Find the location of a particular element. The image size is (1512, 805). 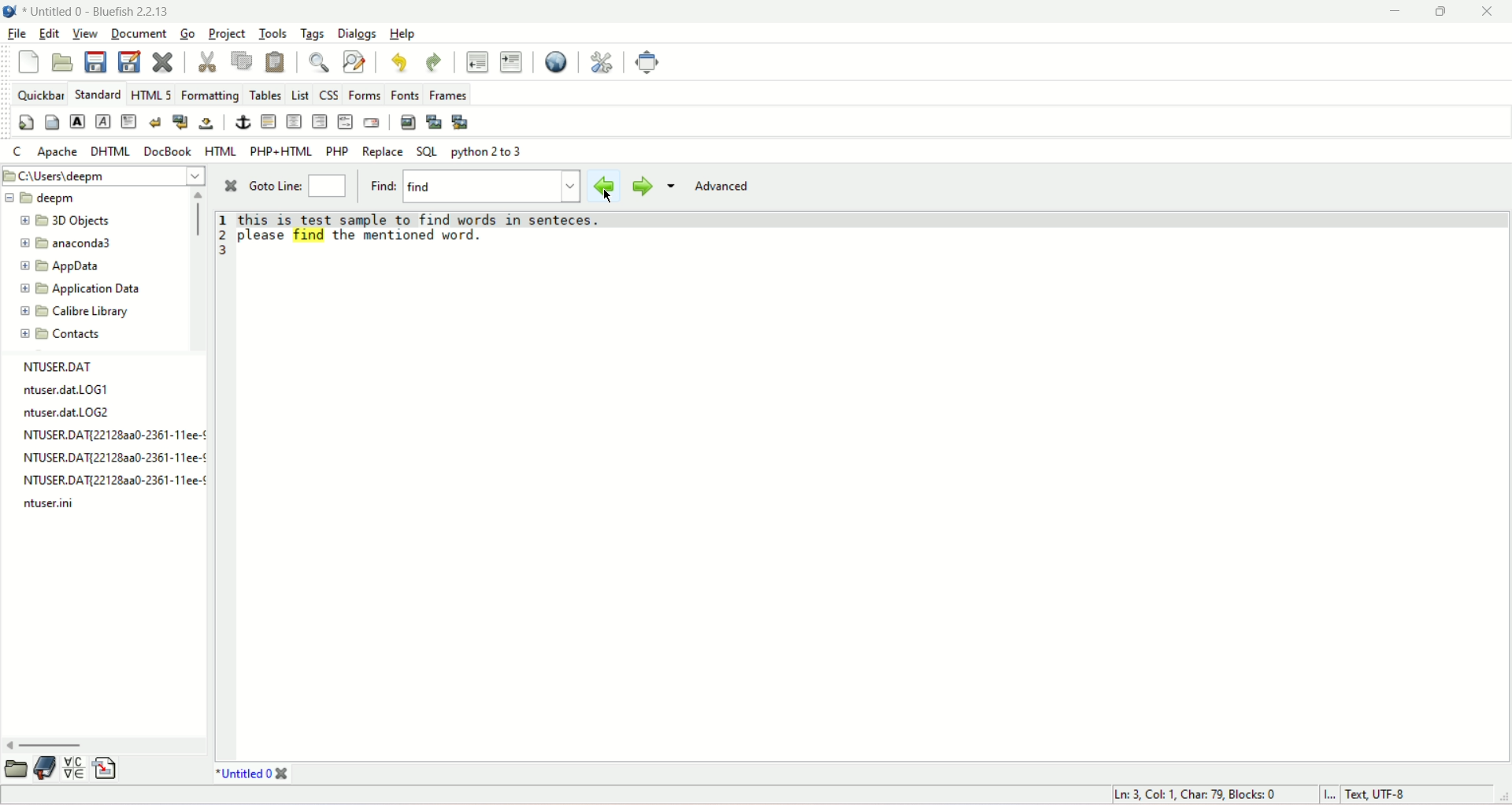

show find bar is located at coordinates (319, 61).